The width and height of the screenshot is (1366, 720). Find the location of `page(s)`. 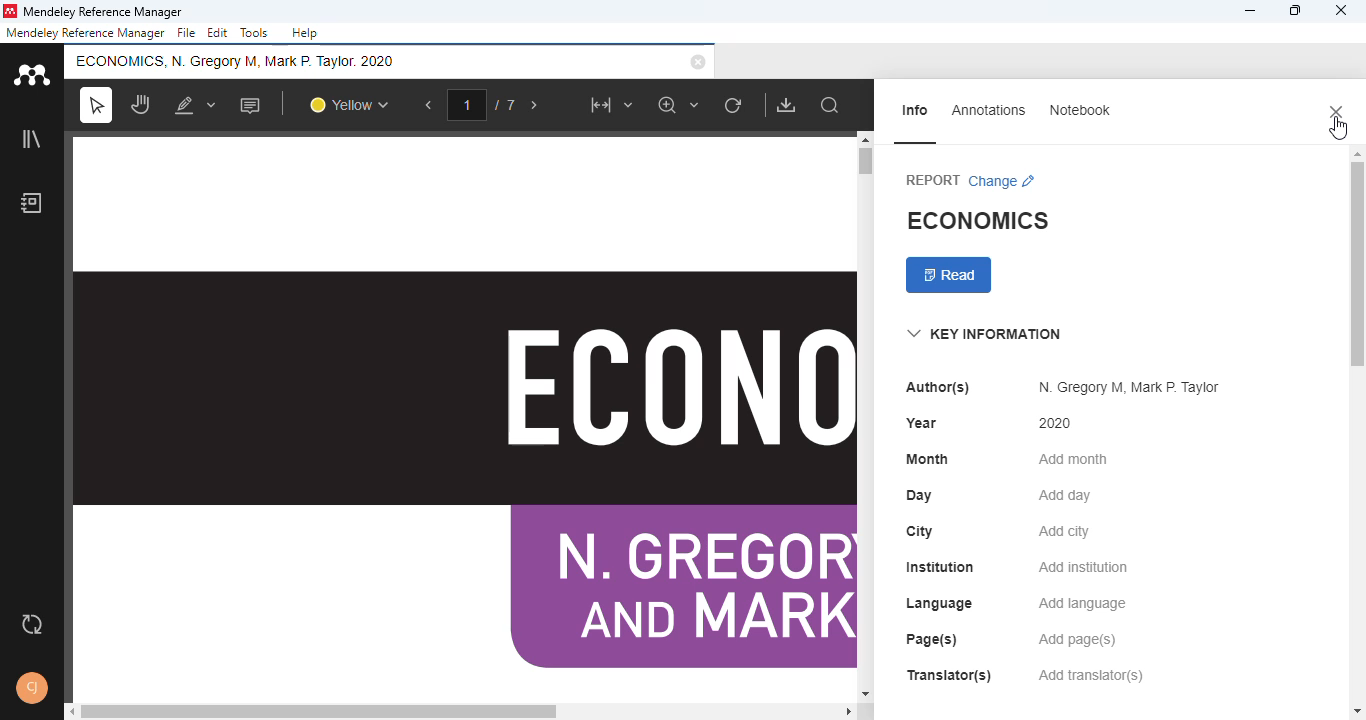

page(s) is located at coordinates (931, 640).